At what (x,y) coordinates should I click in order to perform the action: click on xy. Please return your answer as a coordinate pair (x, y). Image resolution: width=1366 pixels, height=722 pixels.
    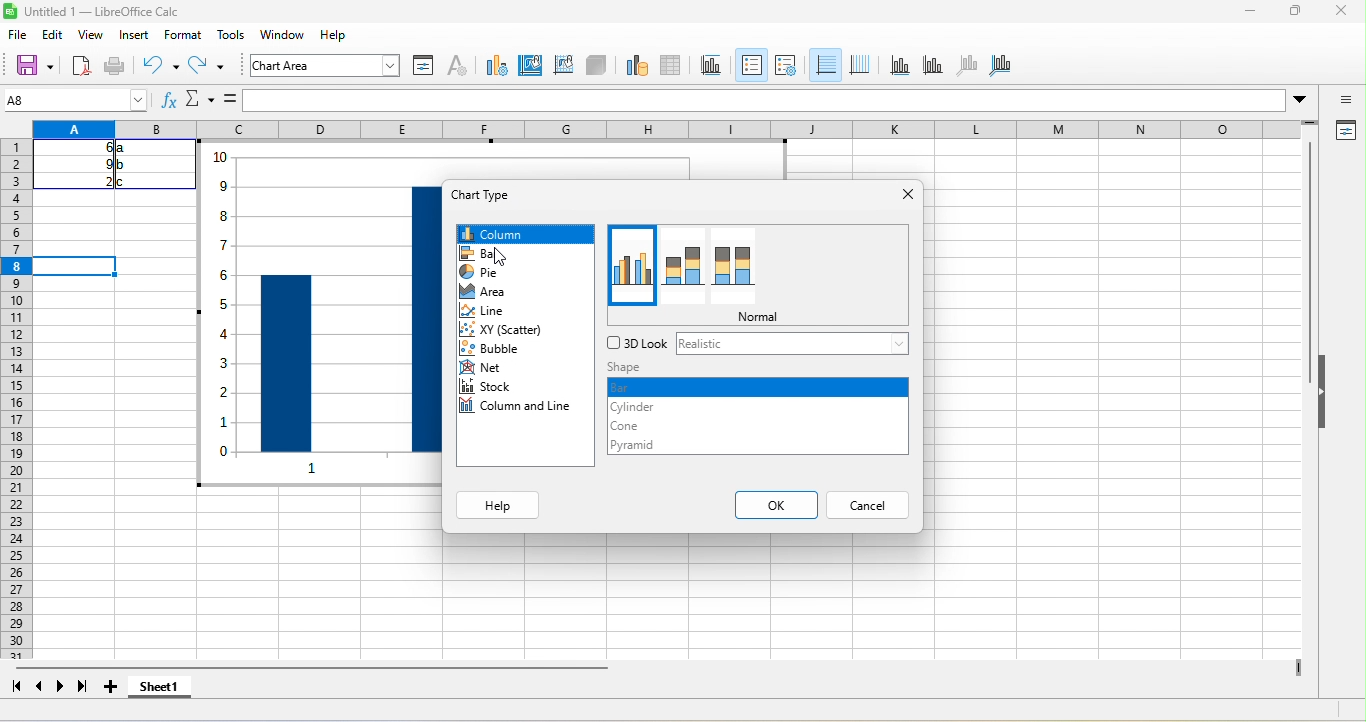
    Looking at the image, I should click on (508, 332).